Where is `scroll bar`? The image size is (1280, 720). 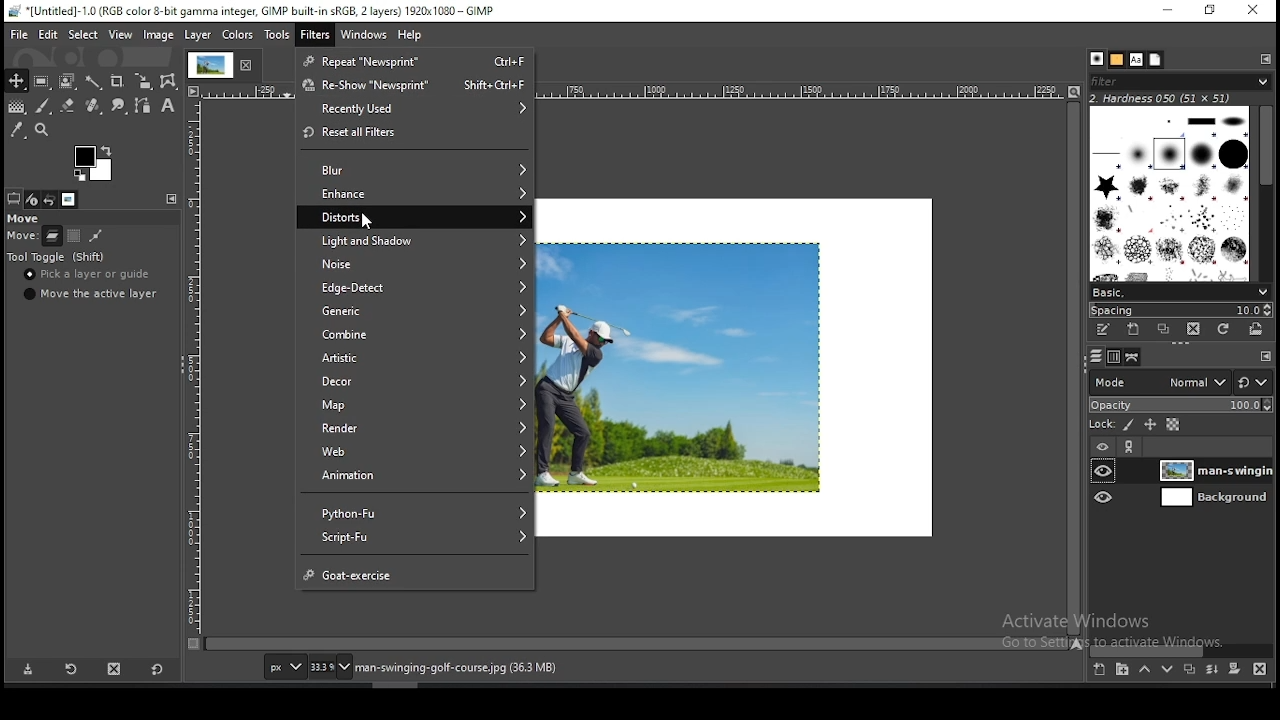
scroll bar is located at coordinates (637, 645).